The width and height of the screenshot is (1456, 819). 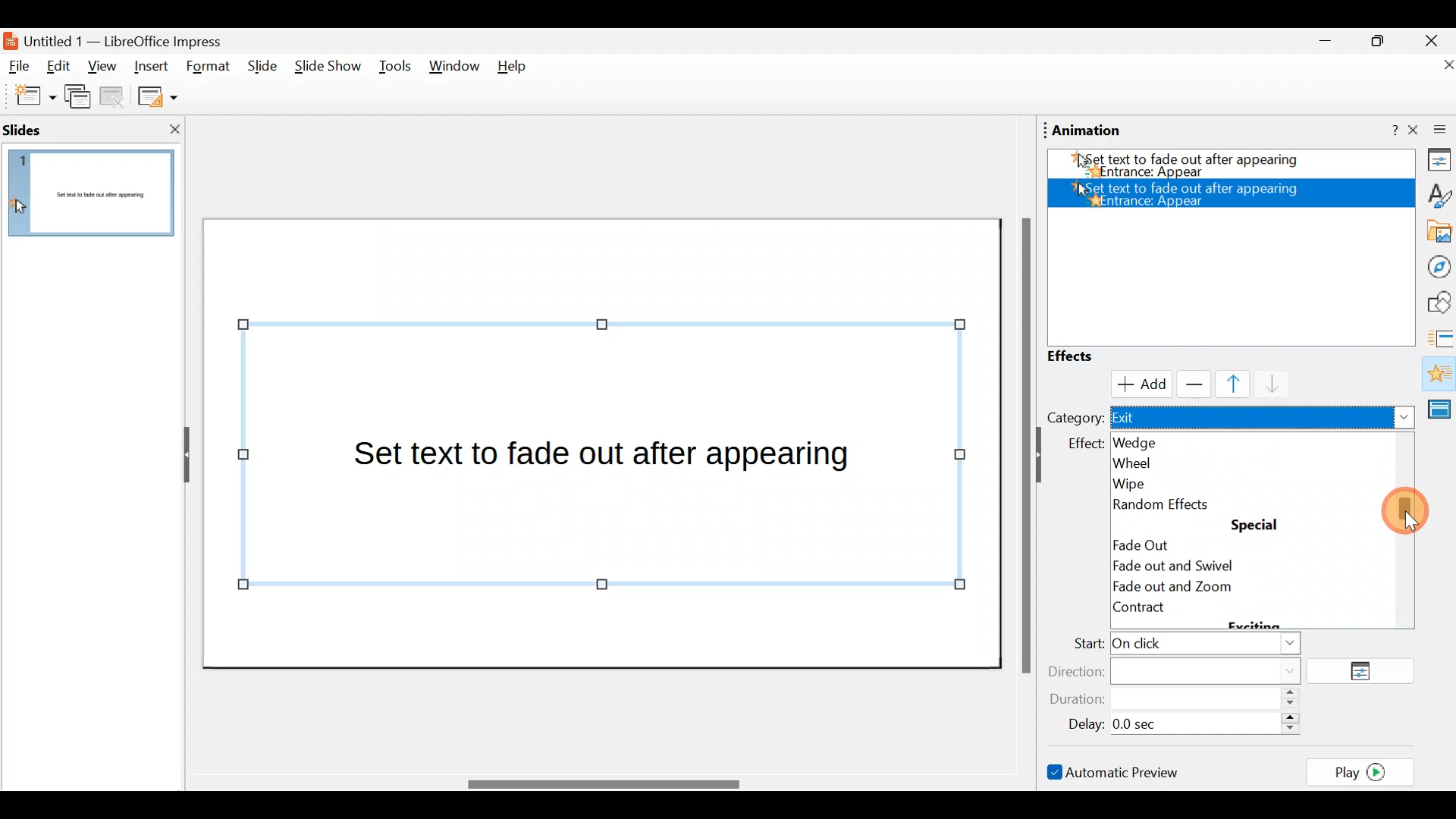 What do you see at coordinates (1254, 526) in the screenshot?
I see `special` at bounding box center [1254, 526].